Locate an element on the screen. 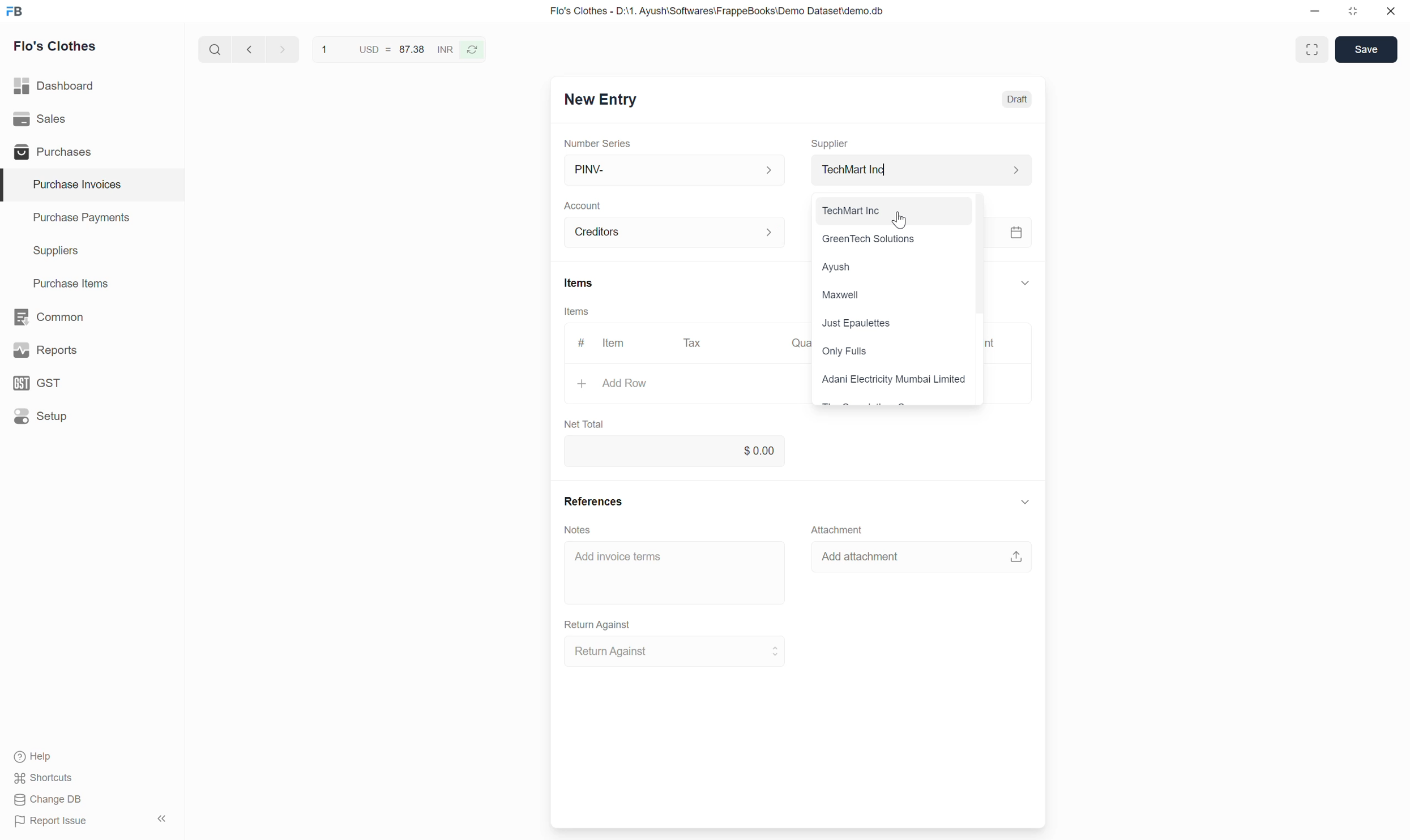 This screenshot has width=1410, height=840. frappe books logo is located at coordinates (17, 11).